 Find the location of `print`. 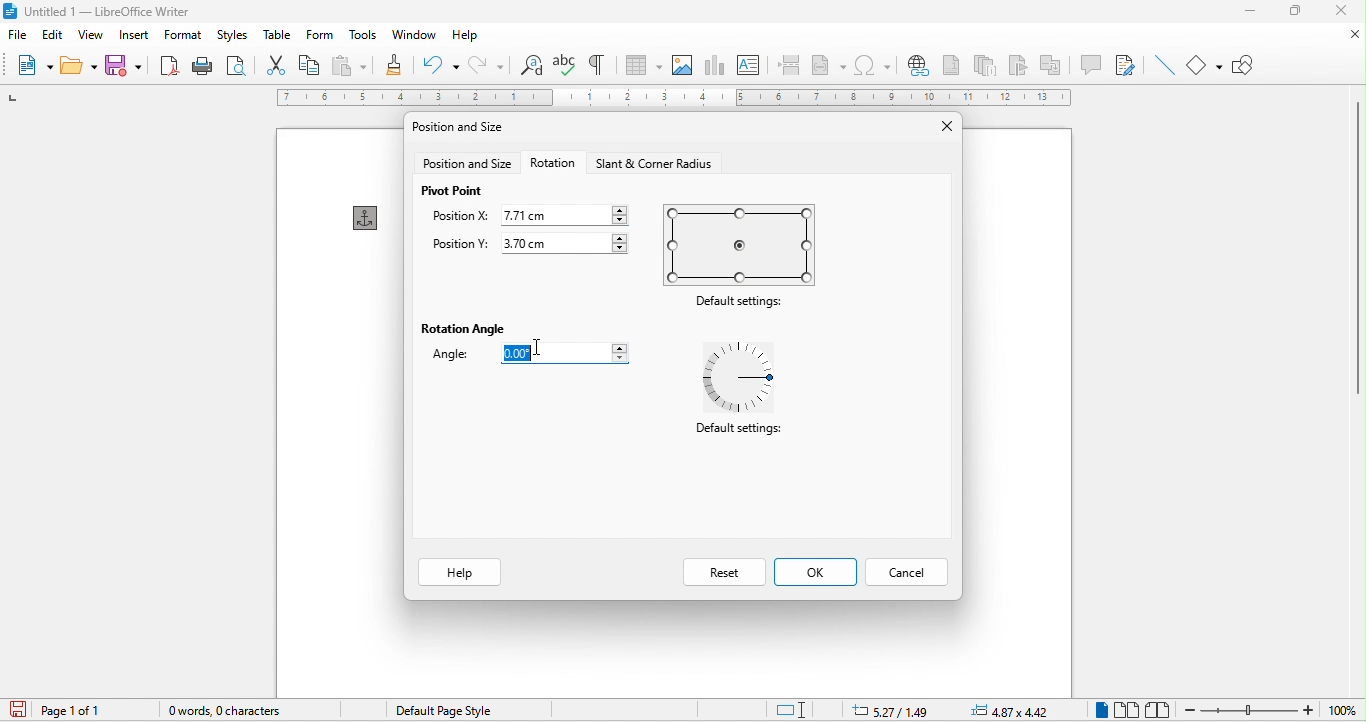

print is located at coordinates (200, 65).